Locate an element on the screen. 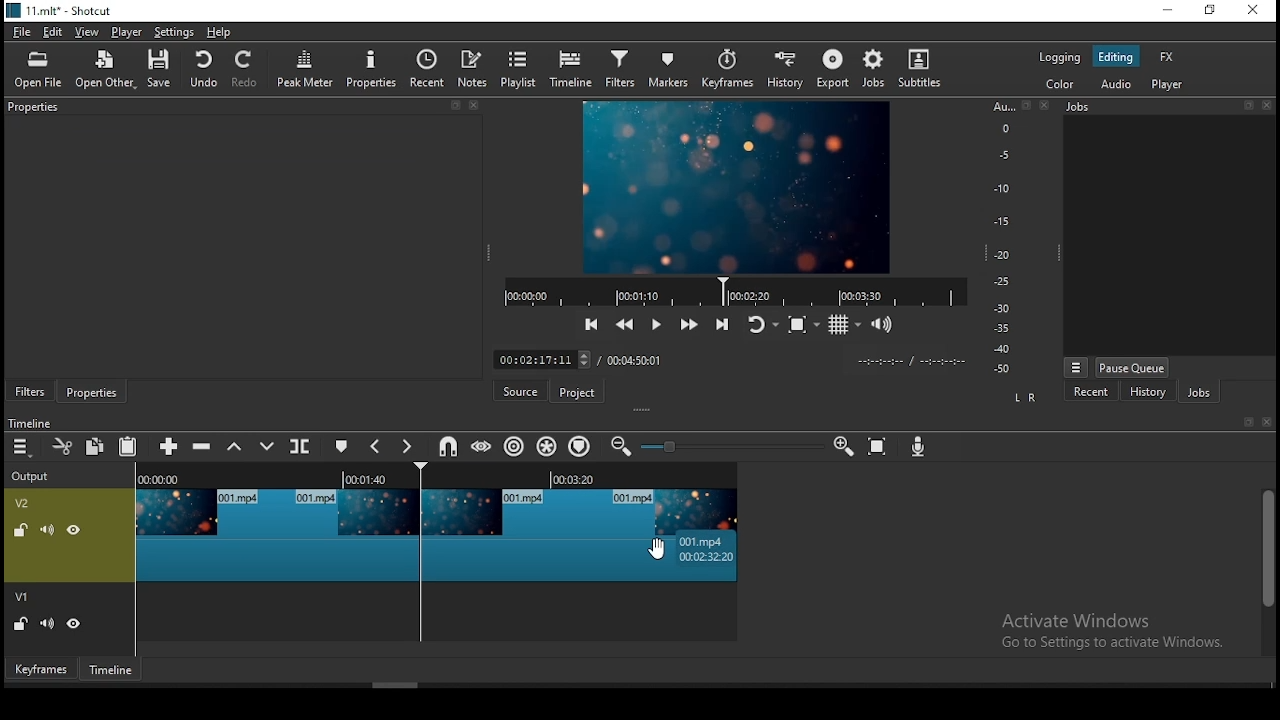 The width and height of the screenshot is (1280, 720). fx is located at coordinates (1170, 58).